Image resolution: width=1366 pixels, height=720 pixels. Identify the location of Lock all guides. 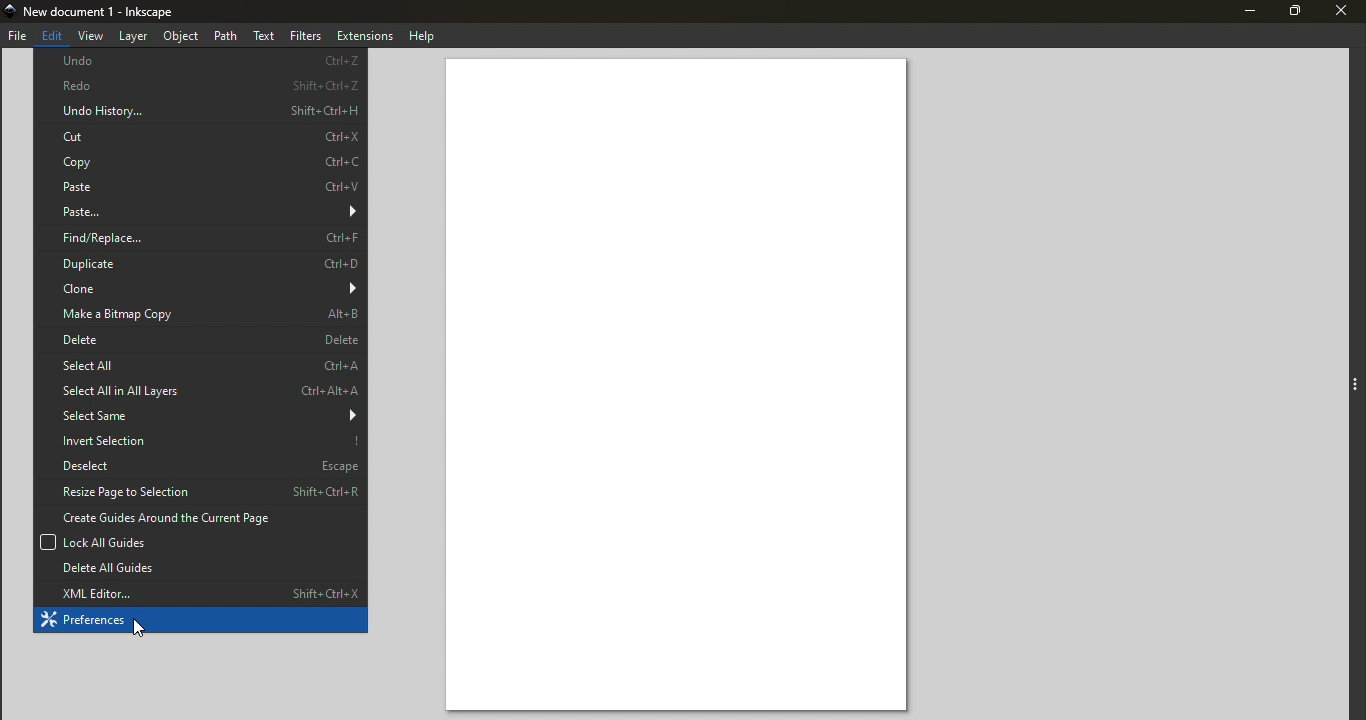
(213, 541).